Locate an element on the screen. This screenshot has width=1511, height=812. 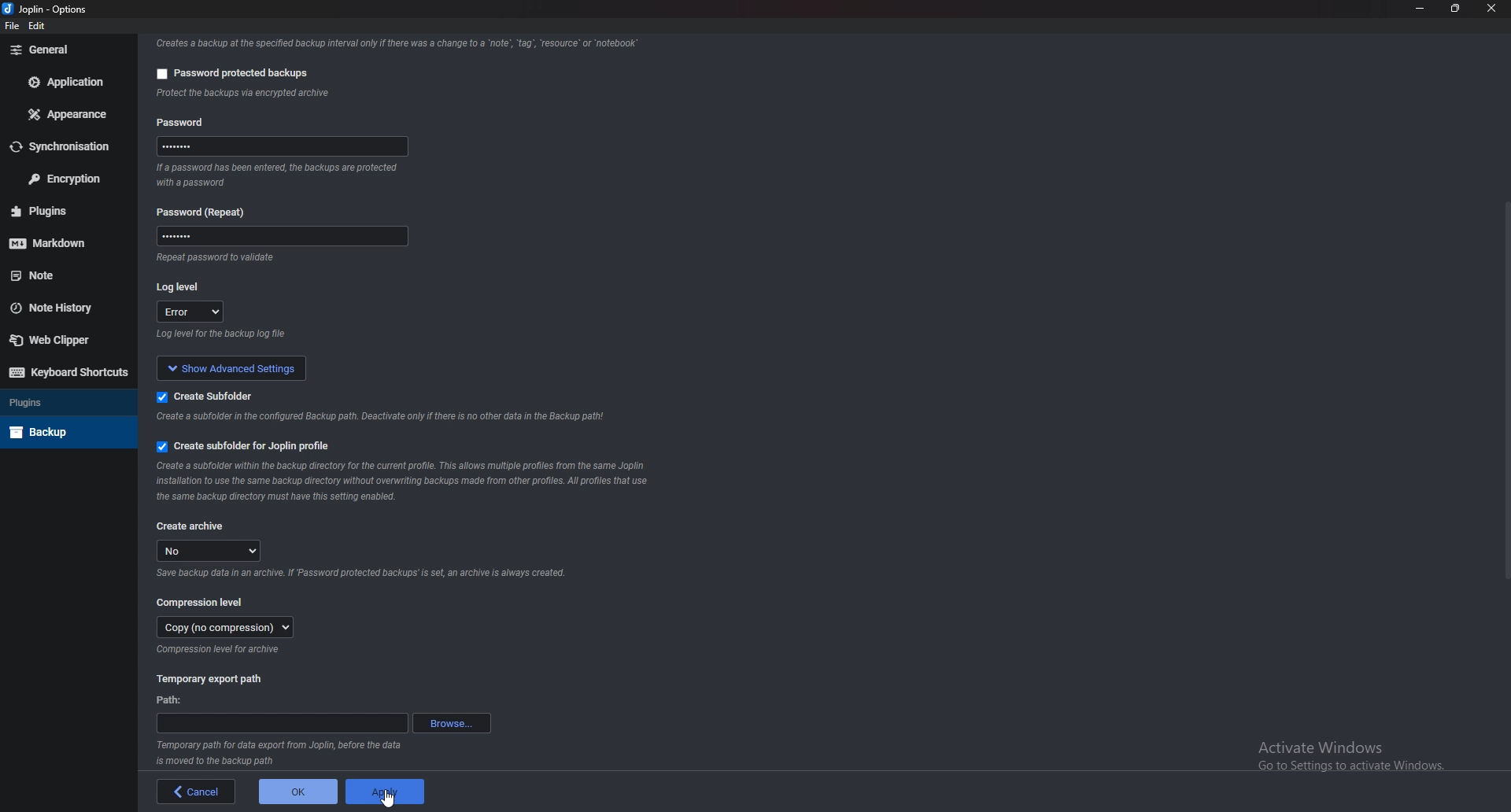
info is located at coordinates (249, 259).